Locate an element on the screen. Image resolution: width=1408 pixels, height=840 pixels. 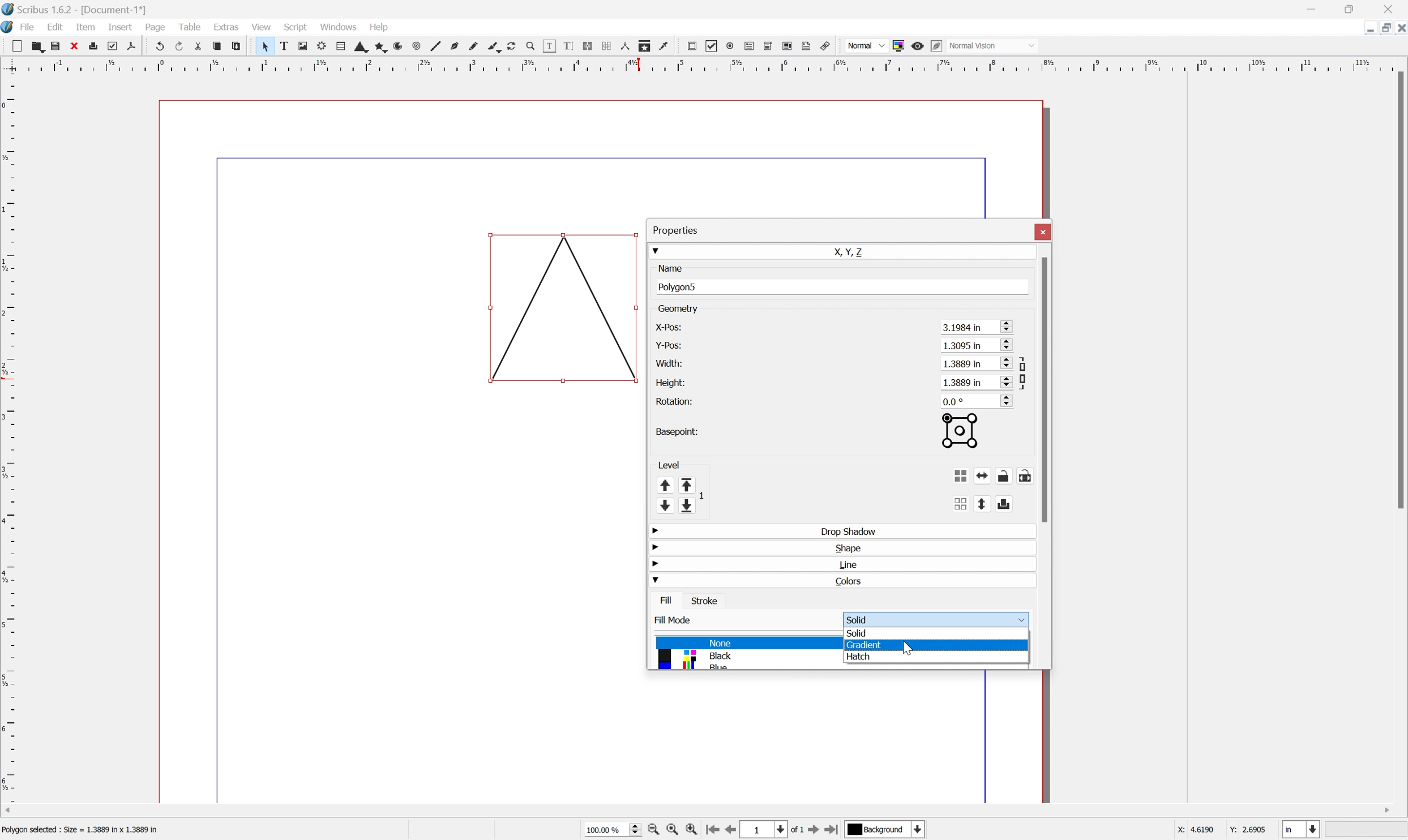
Paste is located at coordinates (241, 47).